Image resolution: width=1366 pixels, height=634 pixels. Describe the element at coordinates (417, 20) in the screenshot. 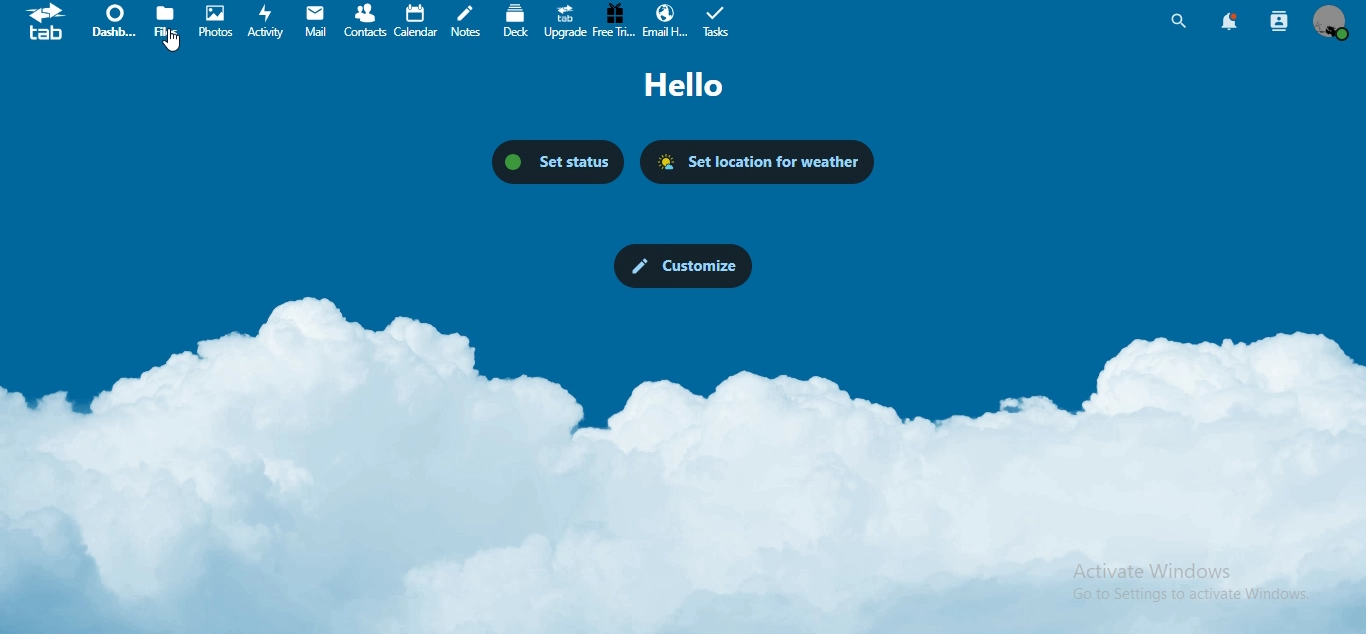

I see `calendar` at that location.